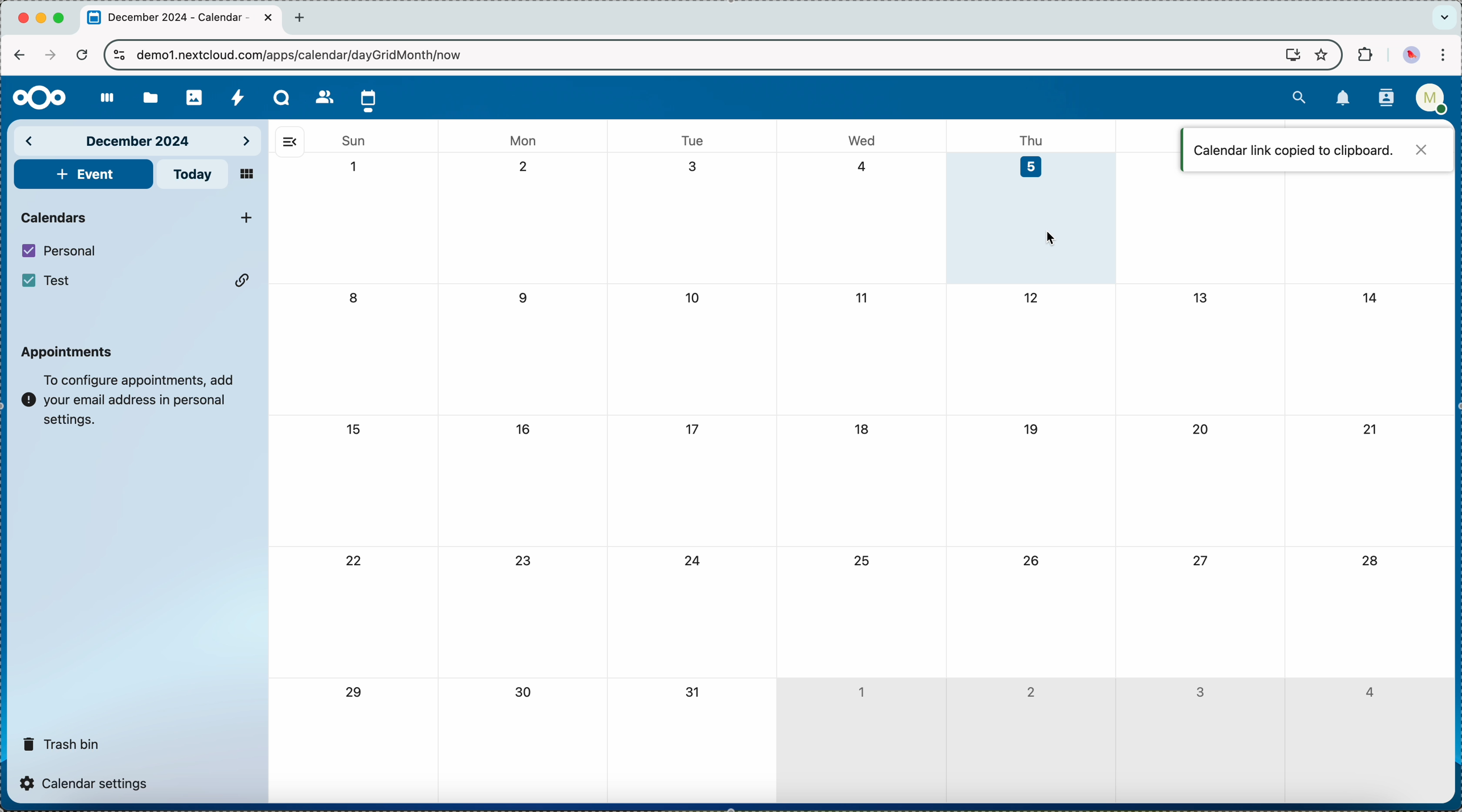 Image resolution: width=1462 pixels, height=812 pixels. What do you see at coordinates (102, 99) in the screenshot?
I see `dashboard` at bounding box center [102, 99].